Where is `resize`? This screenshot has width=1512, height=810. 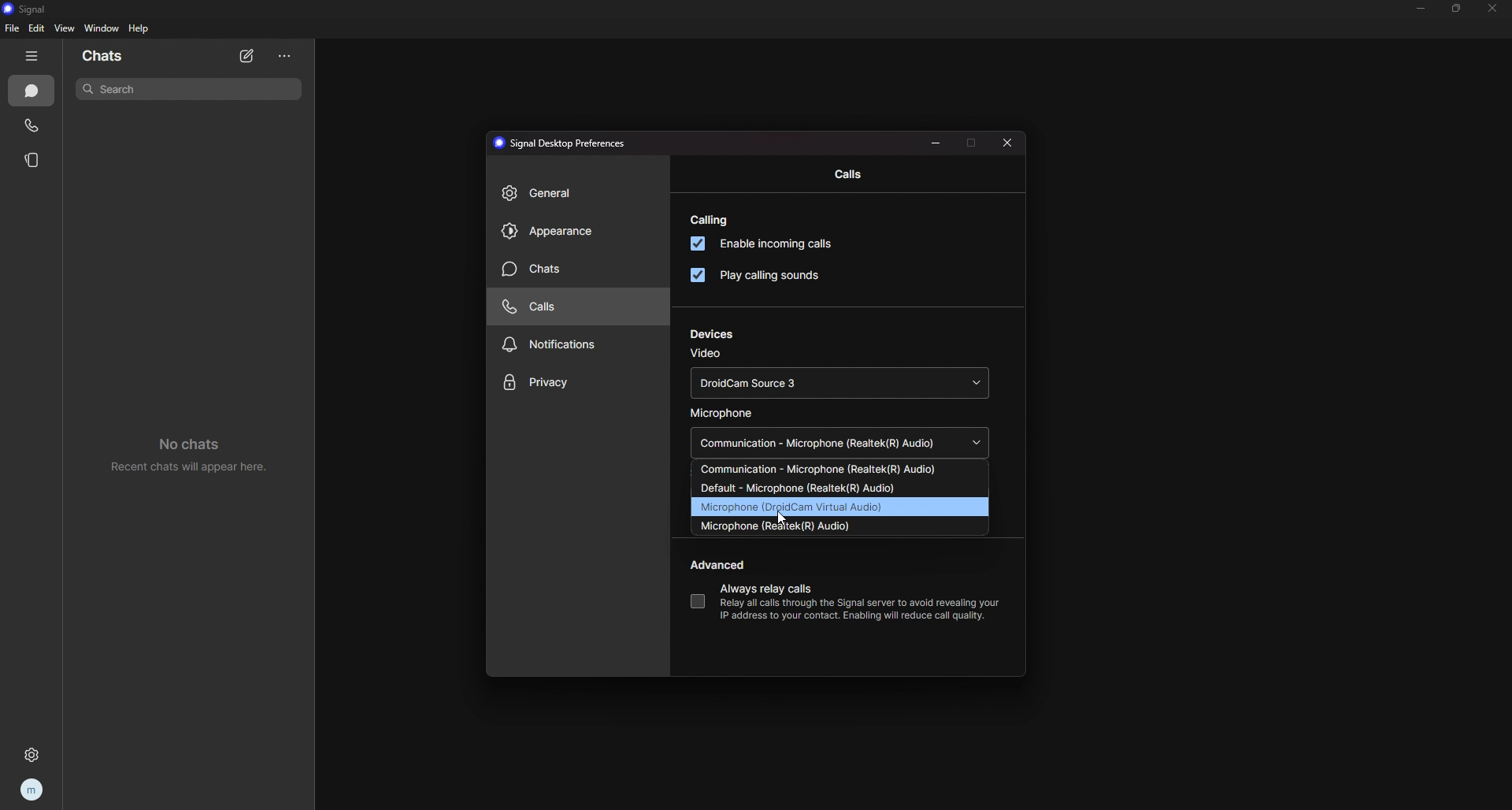
resize is located at coordinates (936, 143).